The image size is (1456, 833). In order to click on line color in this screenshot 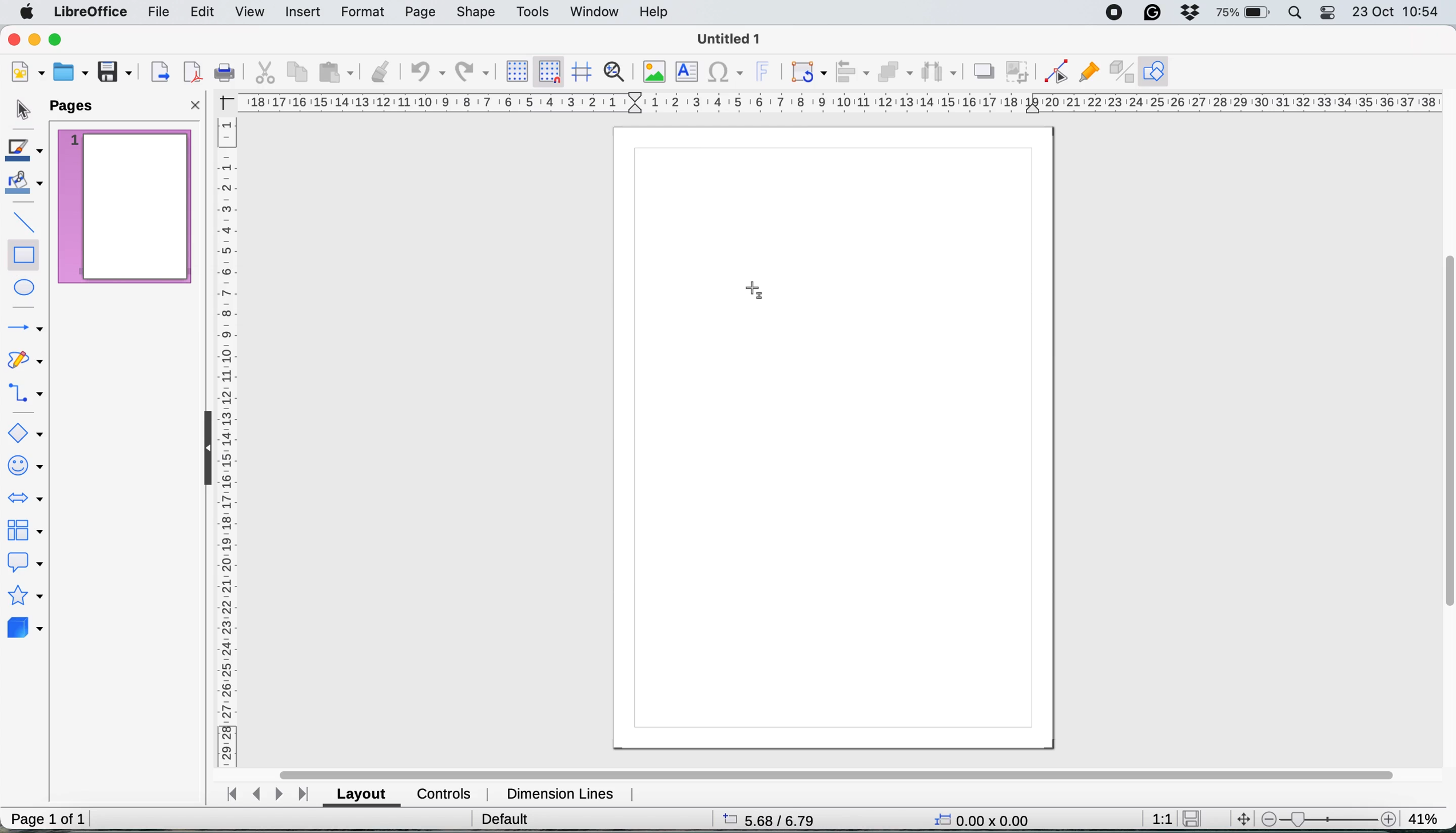, I will do `click(27, 152)`.